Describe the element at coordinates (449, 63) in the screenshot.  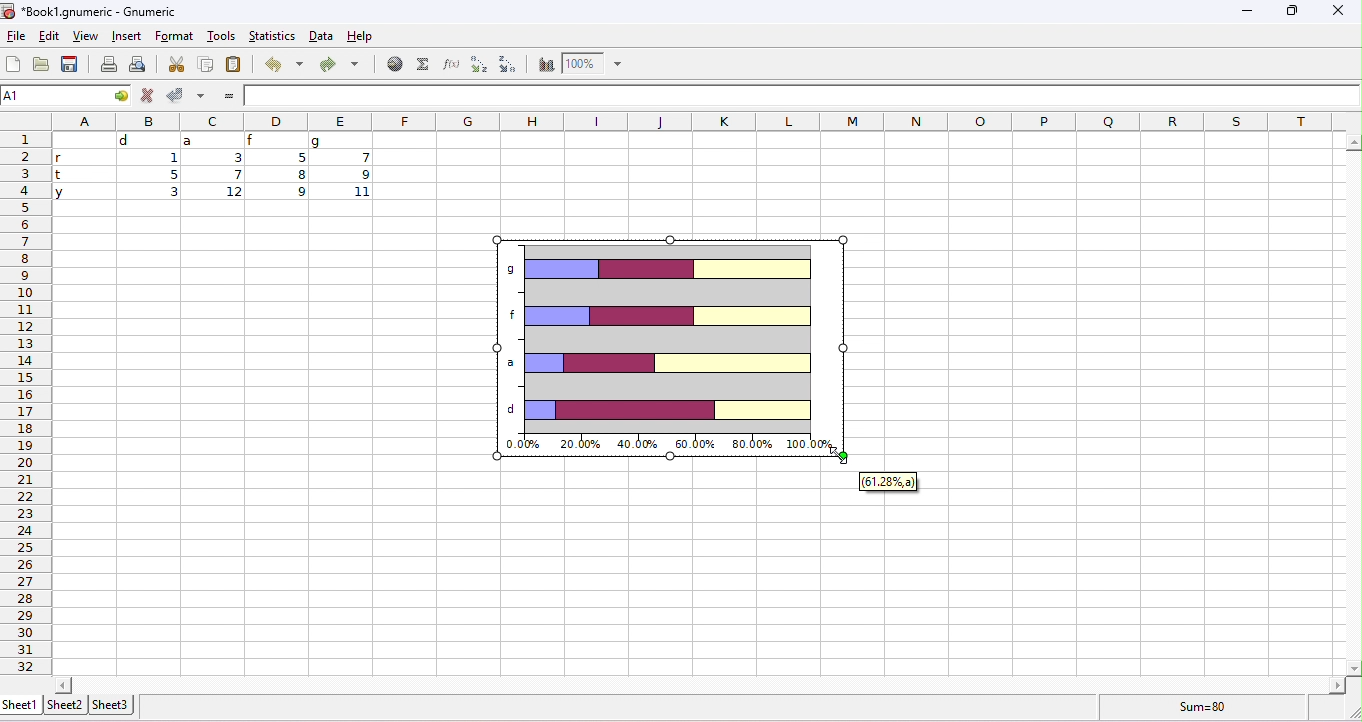
I see `function wizard` at that location.